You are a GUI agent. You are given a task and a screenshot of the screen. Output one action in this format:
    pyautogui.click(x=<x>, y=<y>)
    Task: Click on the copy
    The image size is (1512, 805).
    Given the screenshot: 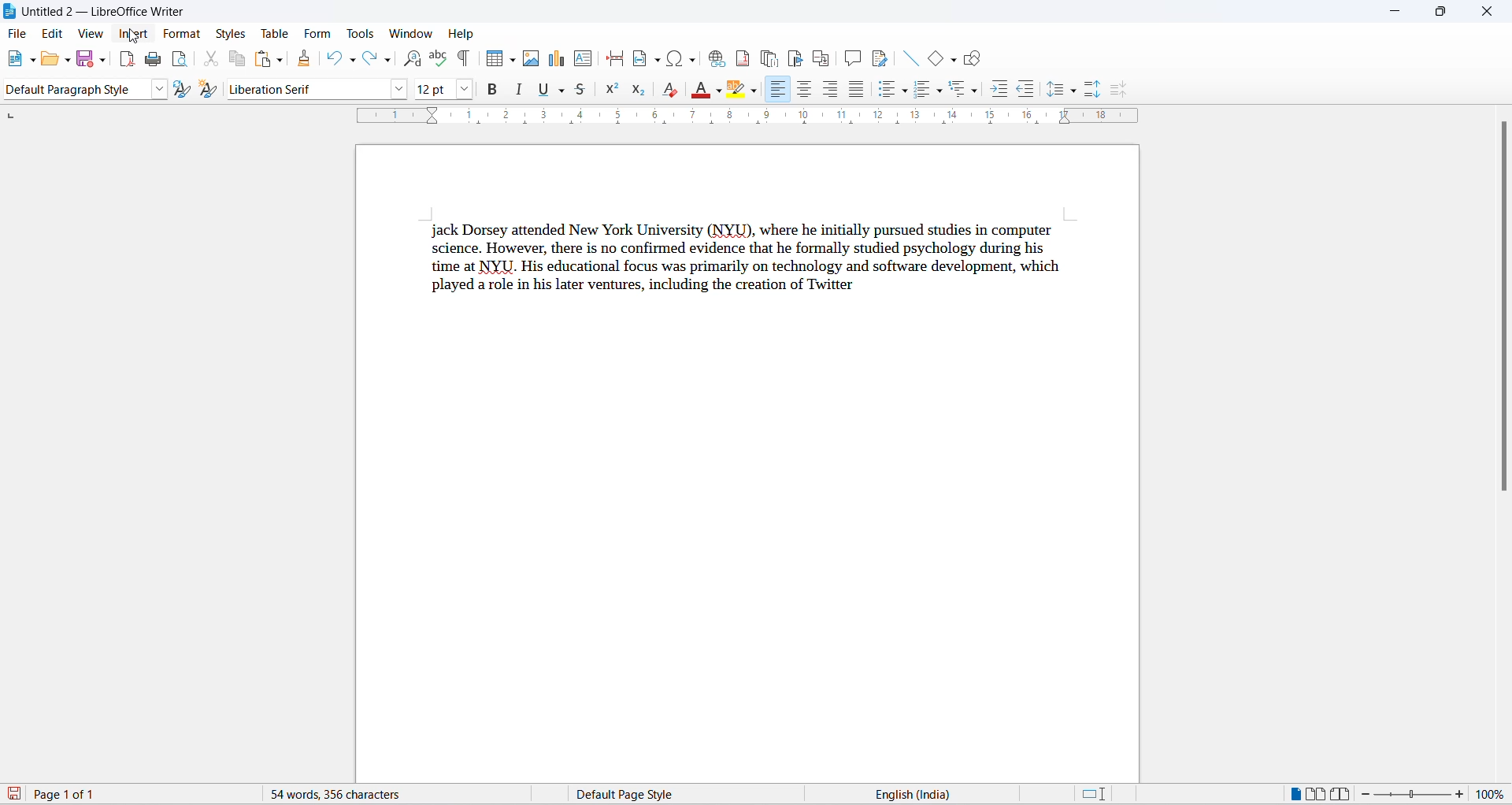 What is the action you would take?
    pyautogui.click(x=234, y=59)
    